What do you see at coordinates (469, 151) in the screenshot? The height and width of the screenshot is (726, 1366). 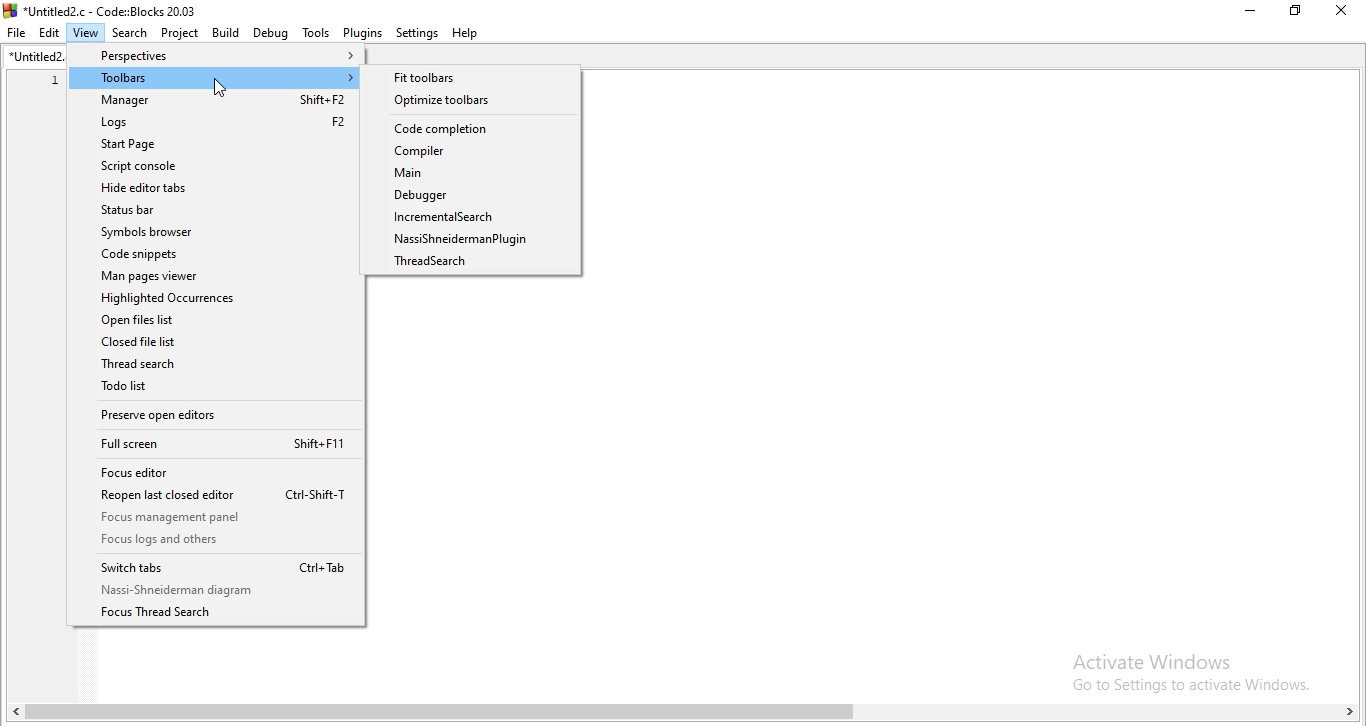 I see `Compiler` at bounding box center [469, 151].